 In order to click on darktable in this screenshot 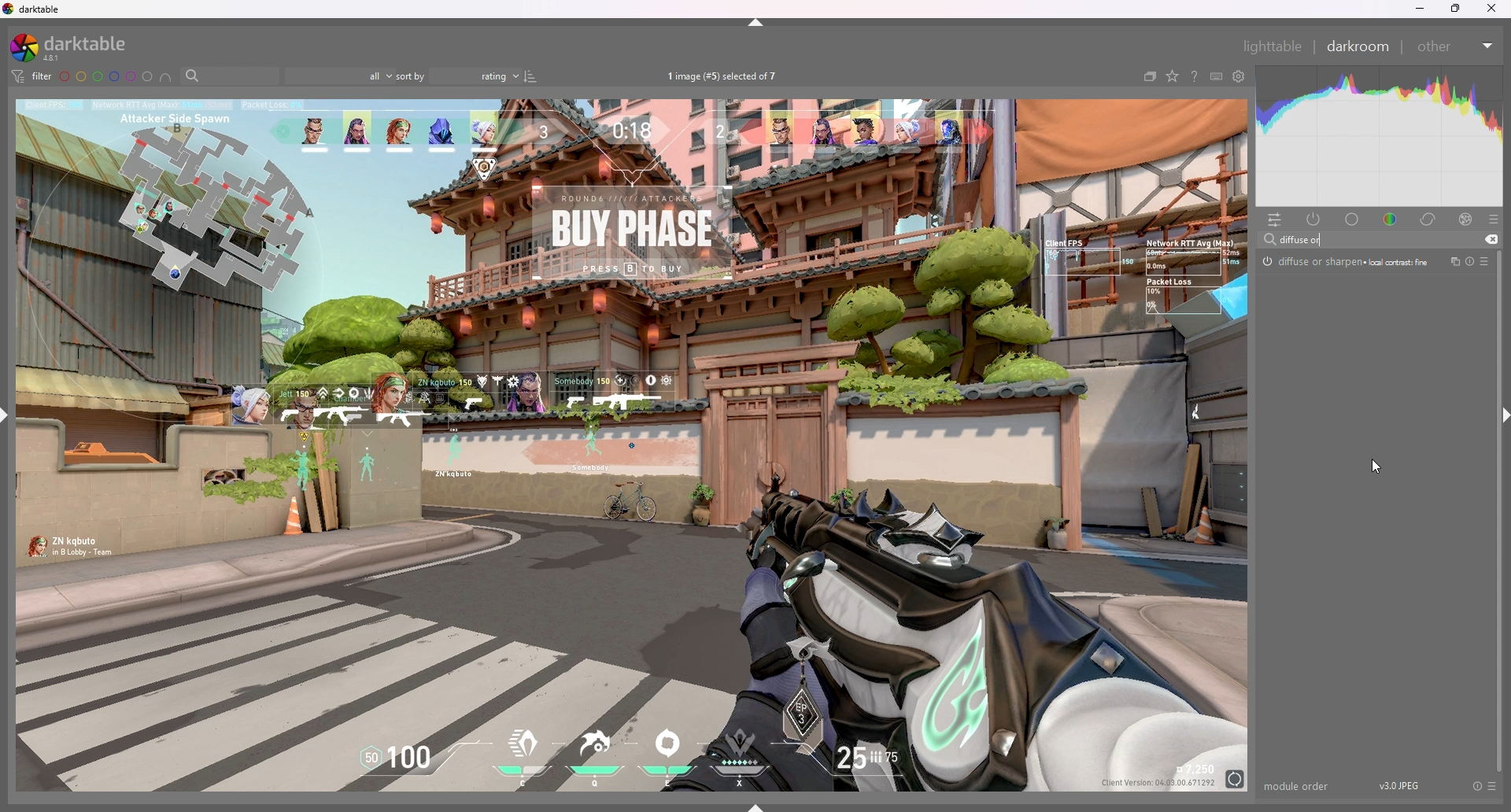, I will do `click(77, 46)`.